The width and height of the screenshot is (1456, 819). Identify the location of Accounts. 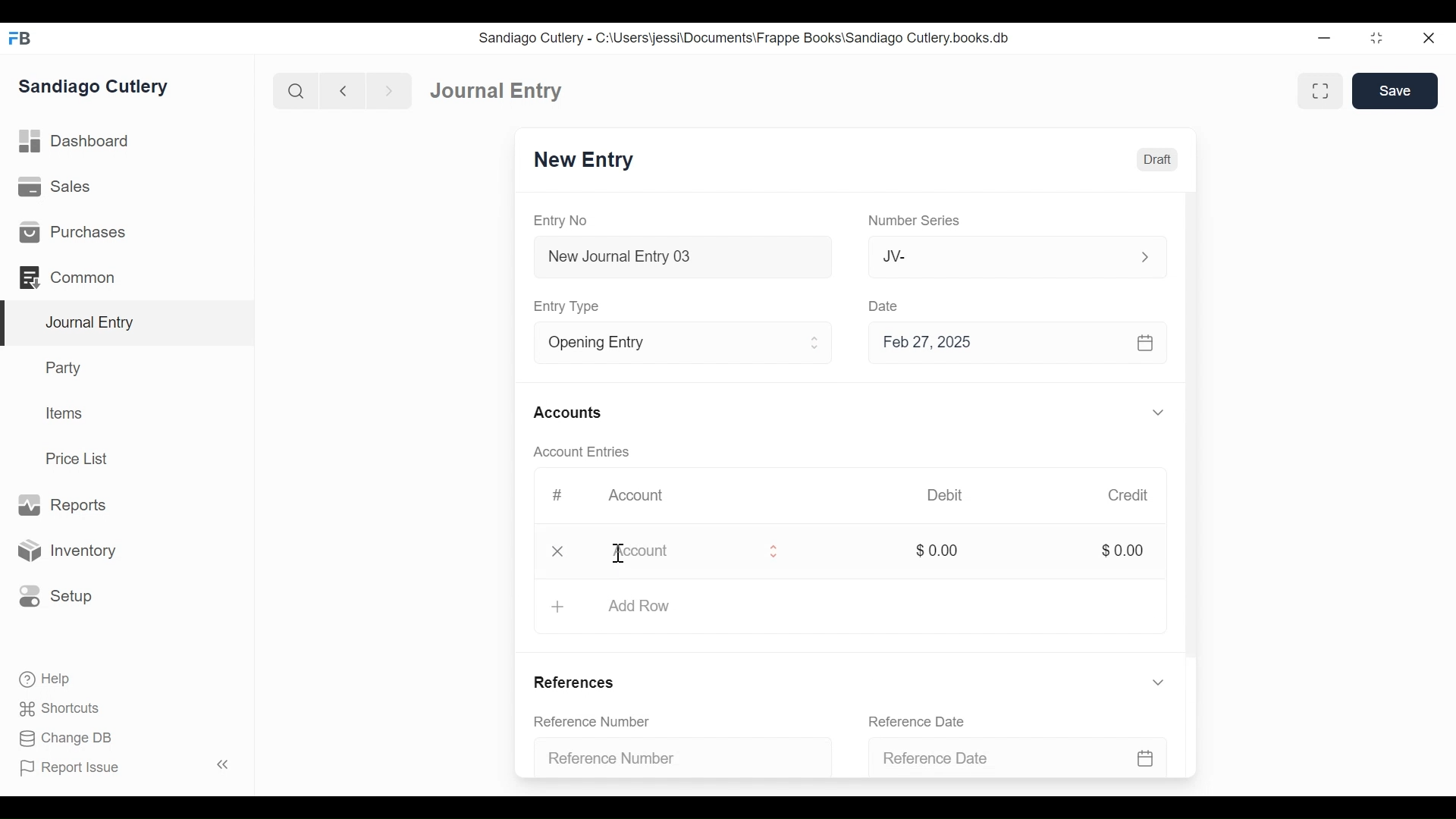
(567, 413).